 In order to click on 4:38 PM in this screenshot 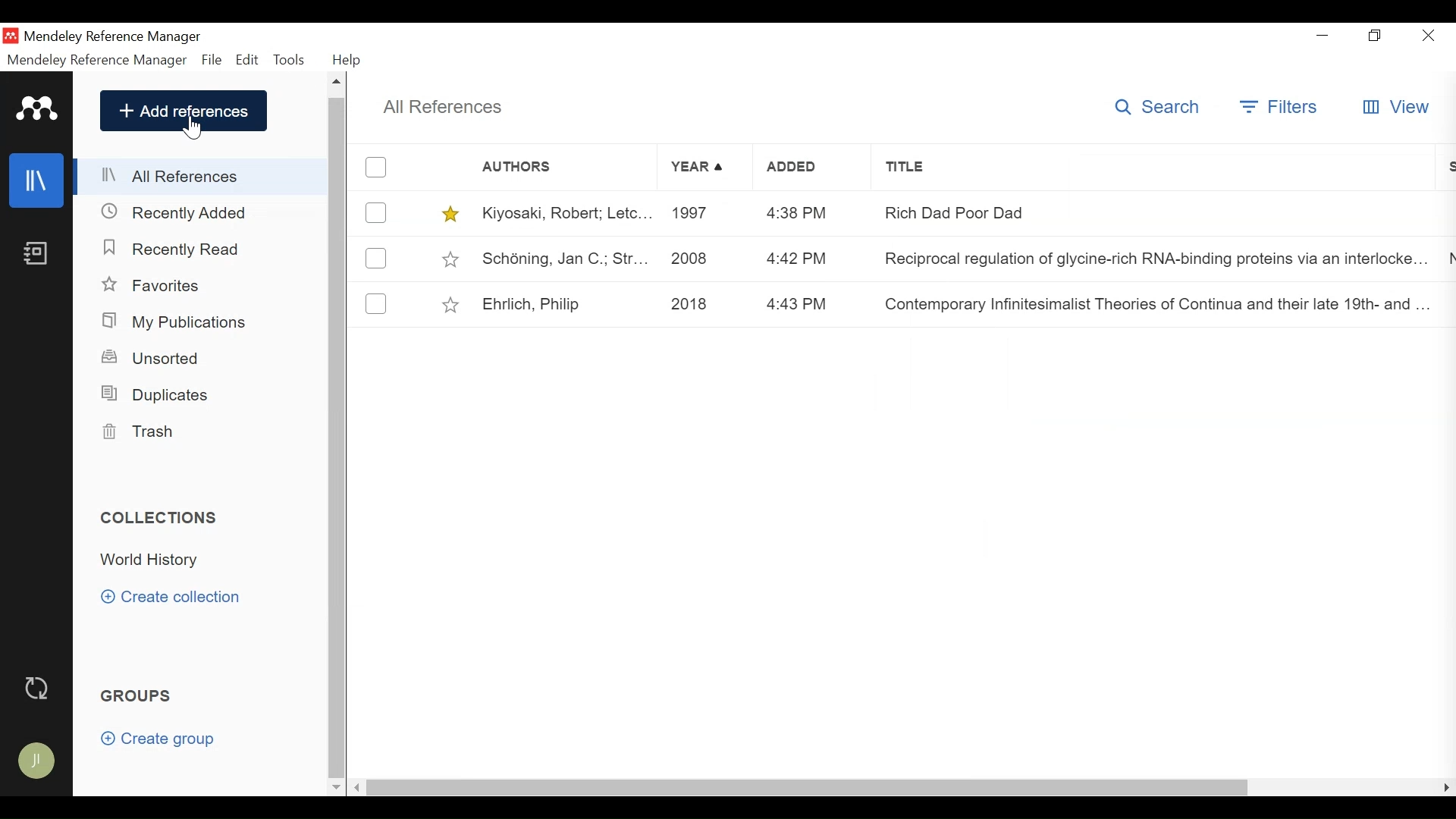, I will do `click(798, 211)`.